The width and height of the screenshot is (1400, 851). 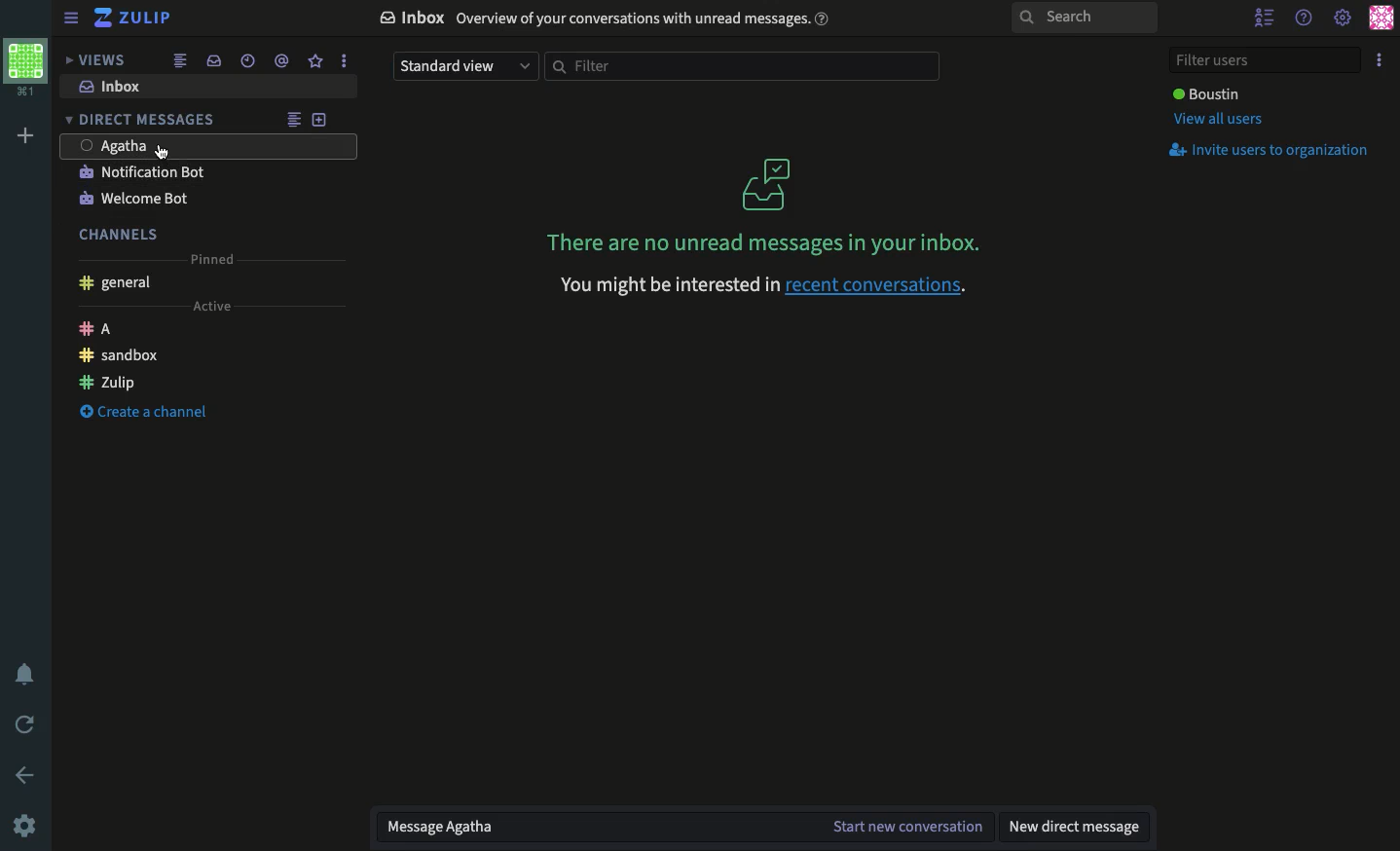 What do you see at coordinates (142, 173) in the screenshot?
I see `Notification bot` at bounding box center [142, 173].